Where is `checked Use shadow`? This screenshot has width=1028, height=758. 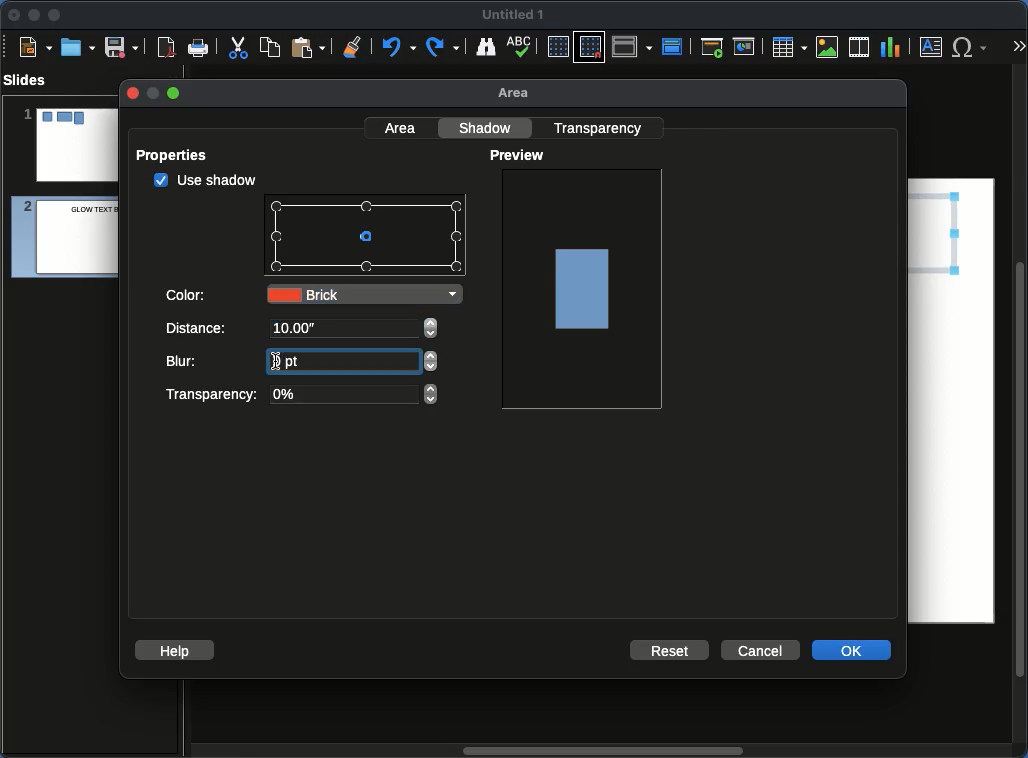 checked Use shadow is located at coordinates (206, 180).